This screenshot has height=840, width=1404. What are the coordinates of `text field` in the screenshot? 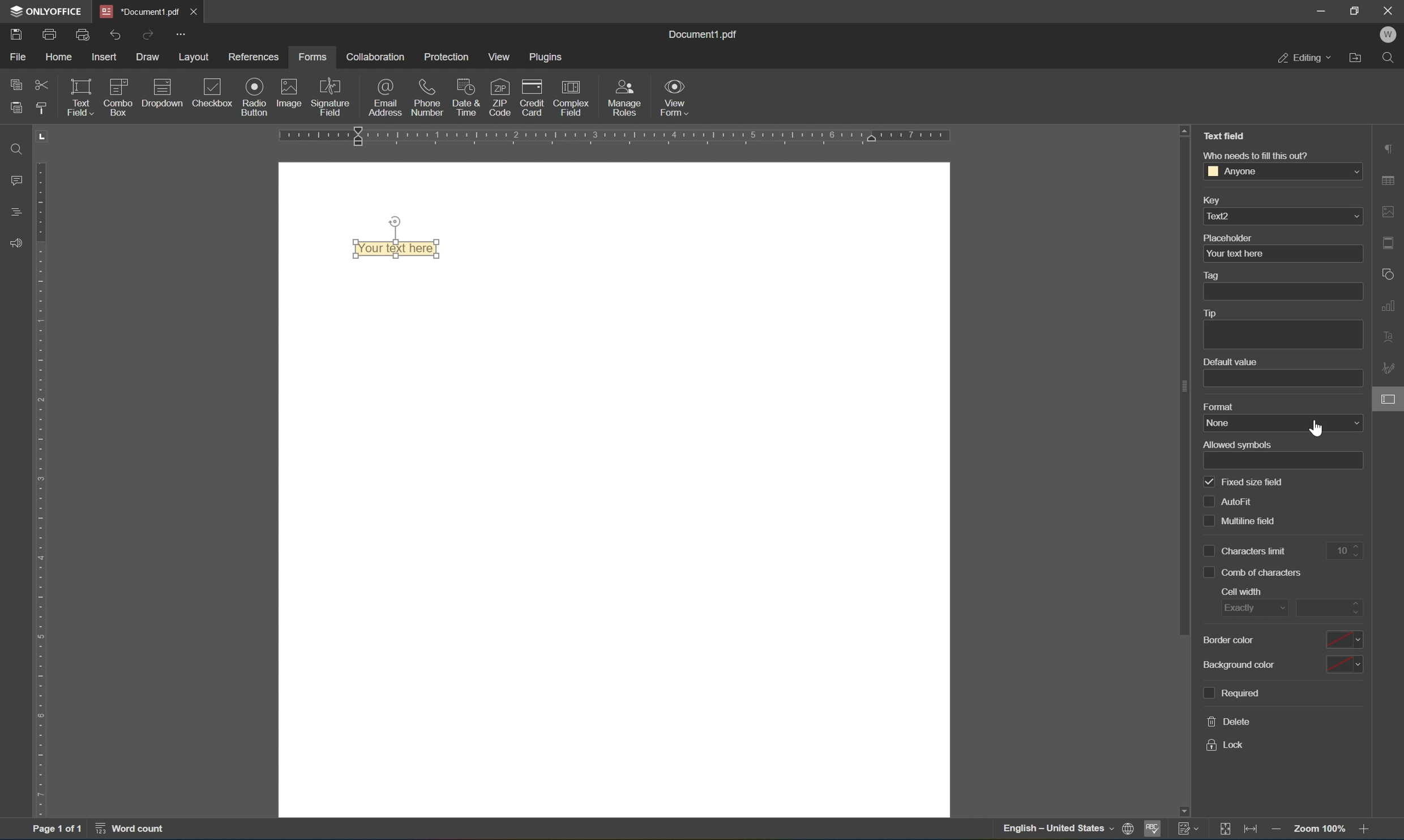 It's located at (391, 250).